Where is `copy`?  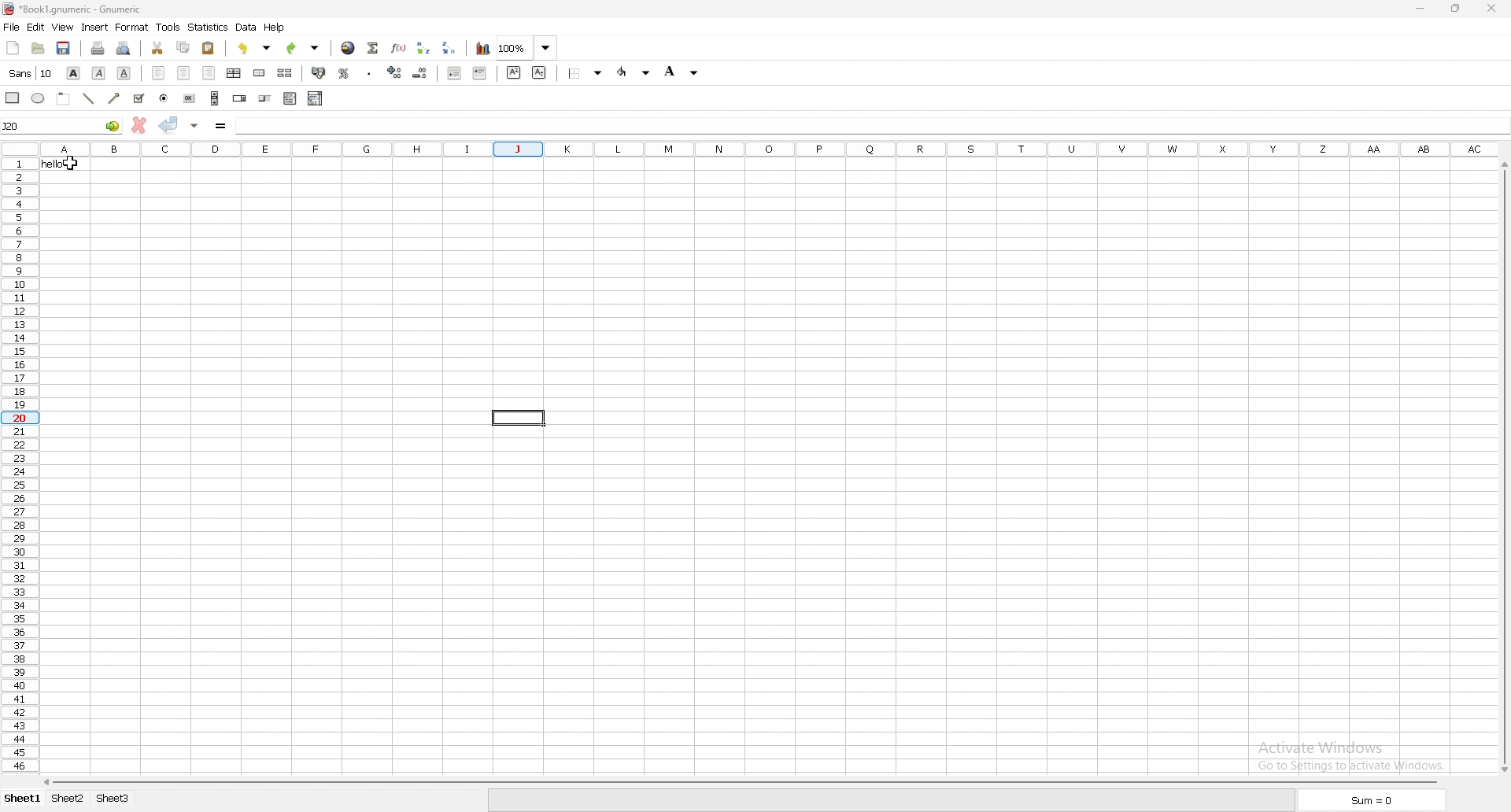
copy is located at coordinates (183, 47).